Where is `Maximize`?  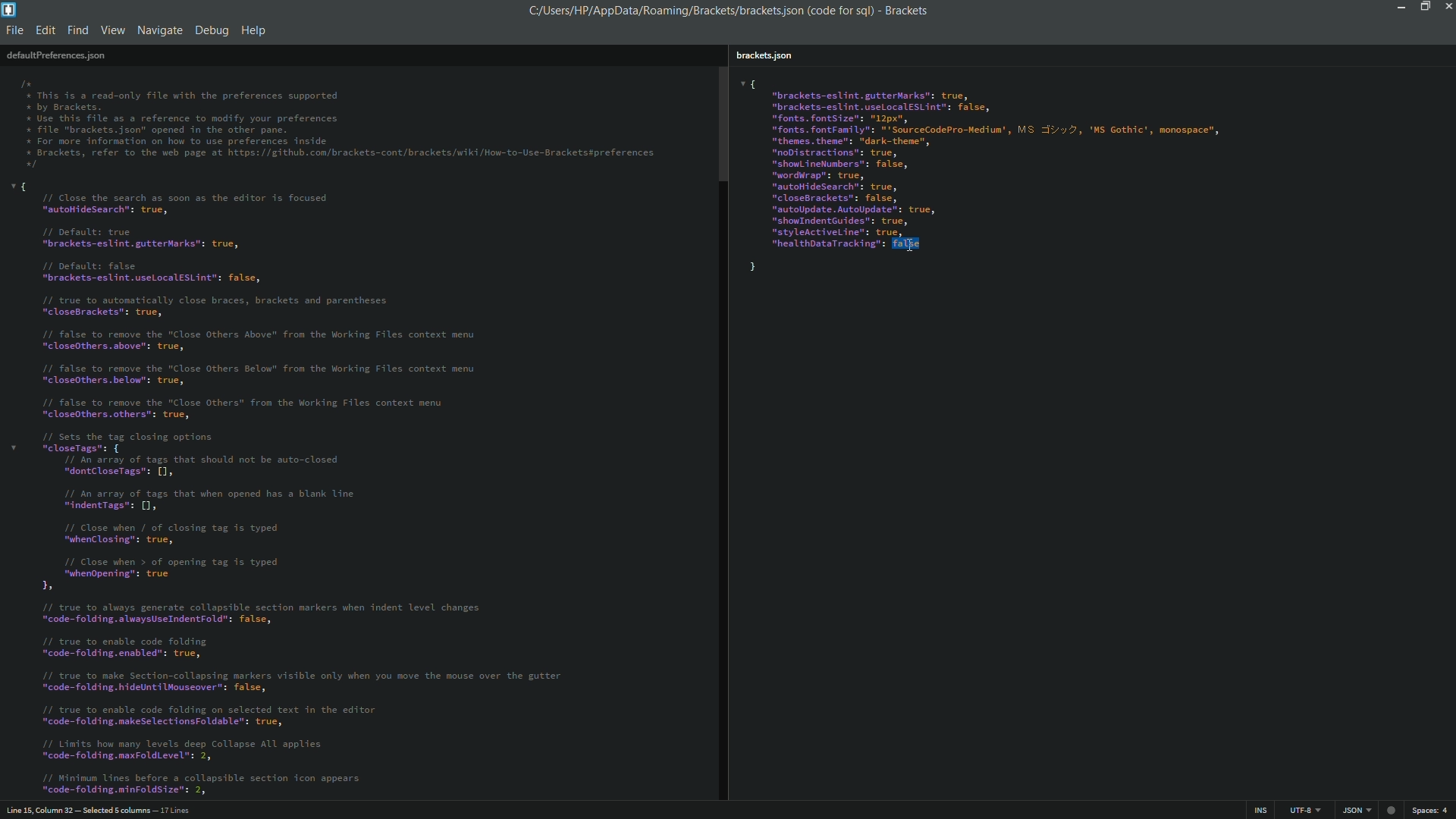 Maximize is located at coordinates (1423, 6).